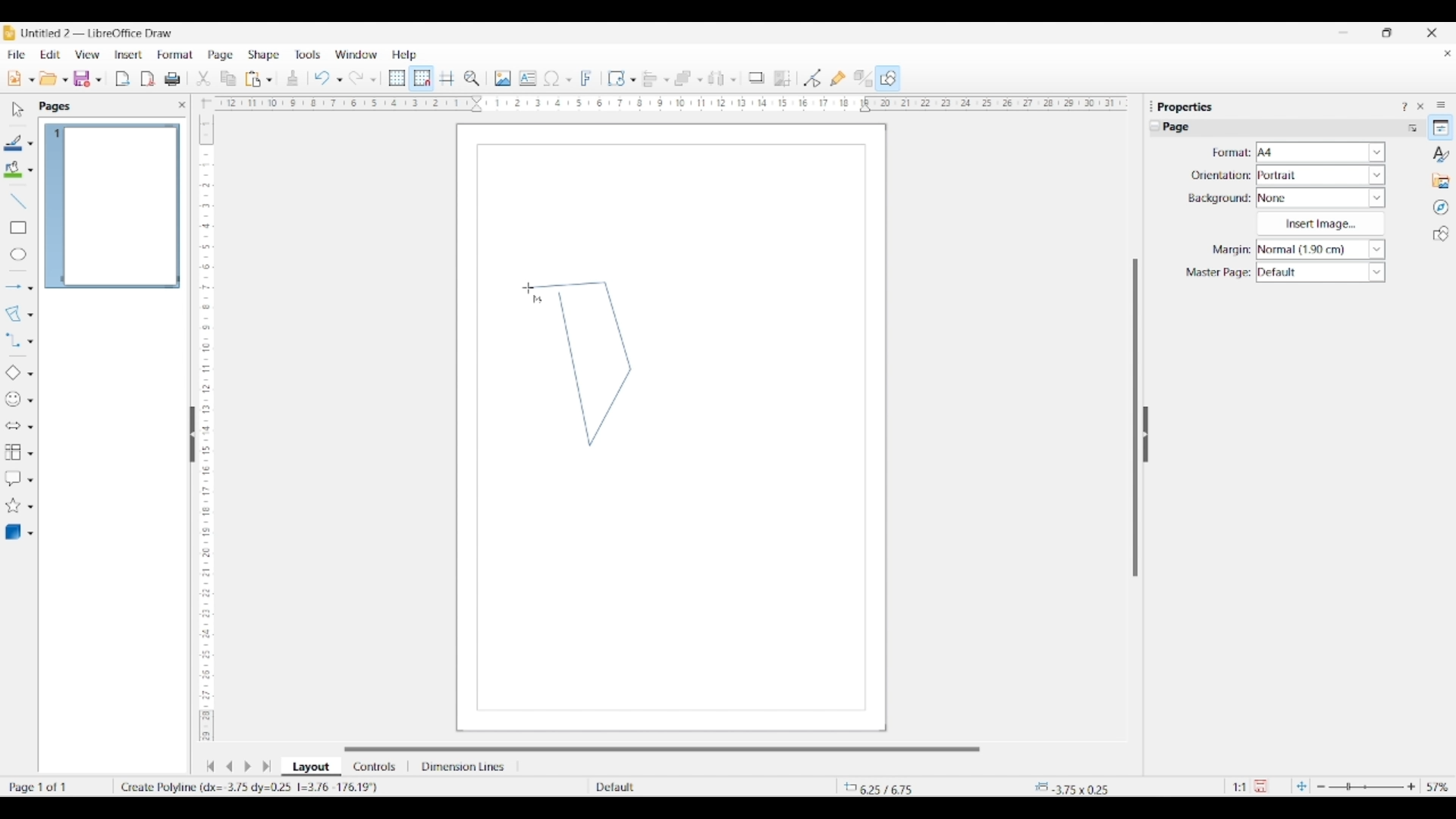 This screenshot has height=819, width=1456. What do you see at coordinates (552, 78) in the screenshot?
I see `Selected special character` at bounding box center [552, 78].